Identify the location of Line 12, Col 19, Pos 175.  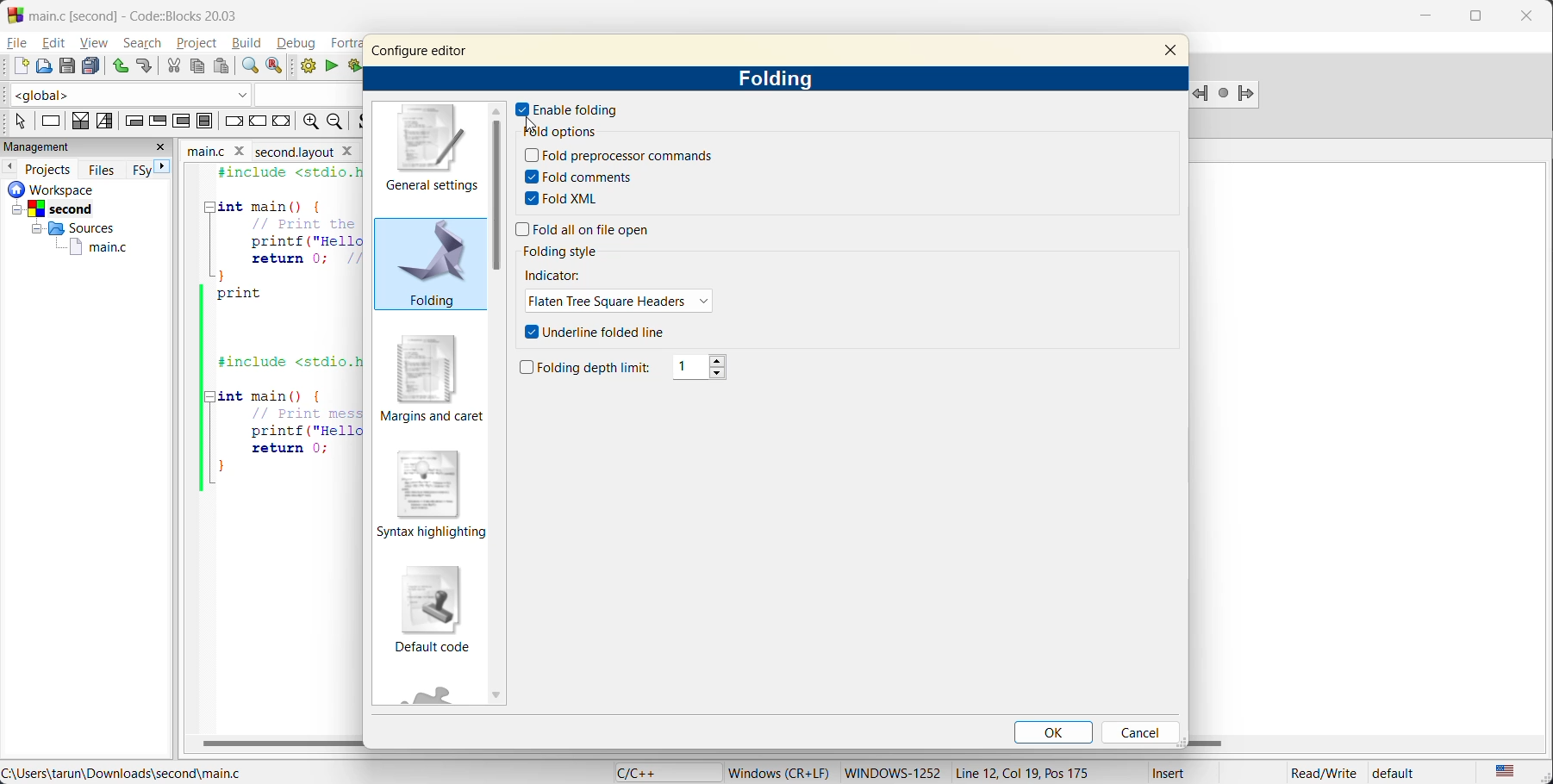
(1029, 769).